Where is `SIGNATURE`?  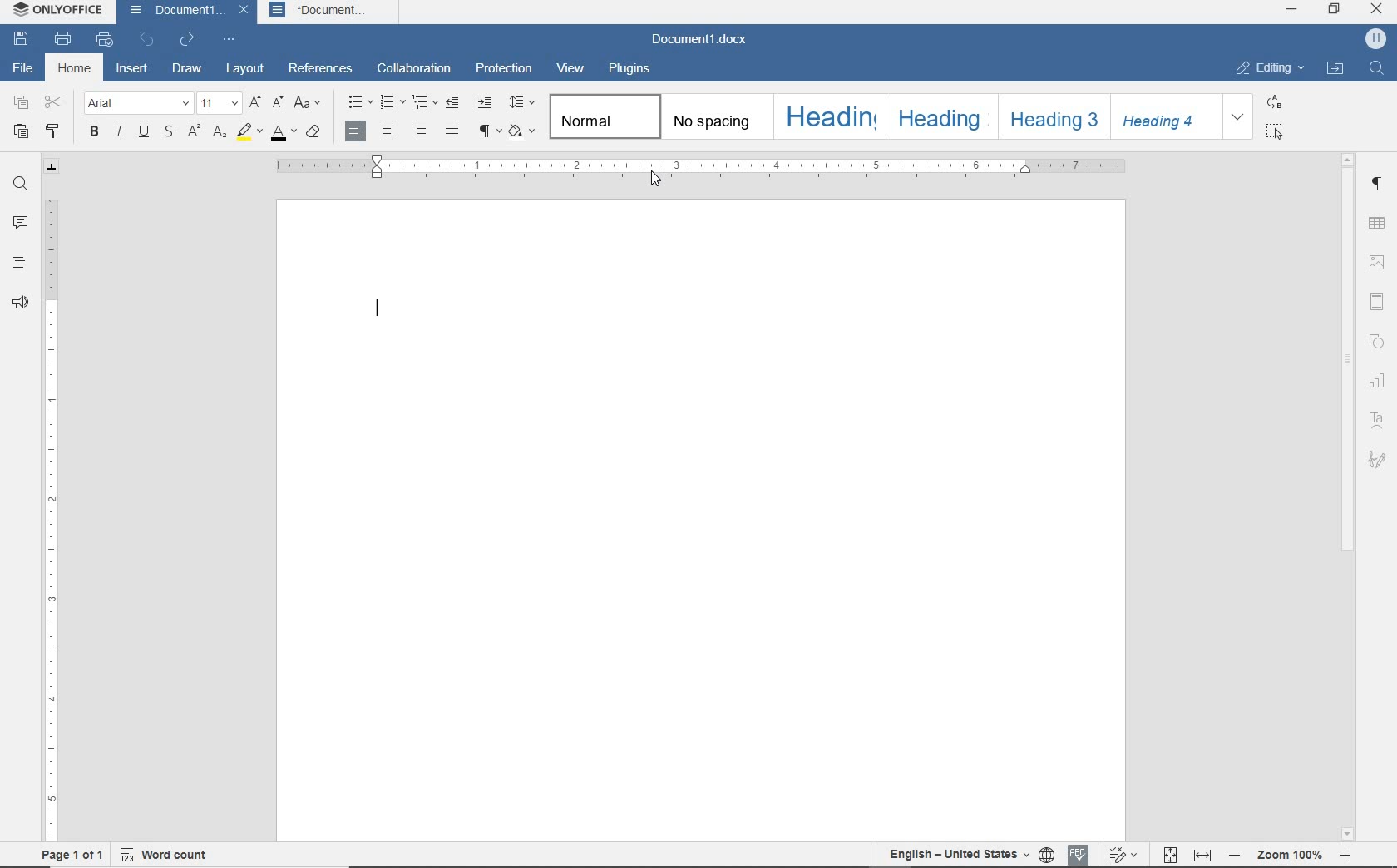
SIGNATURE is located at coordinates (1378, 462).